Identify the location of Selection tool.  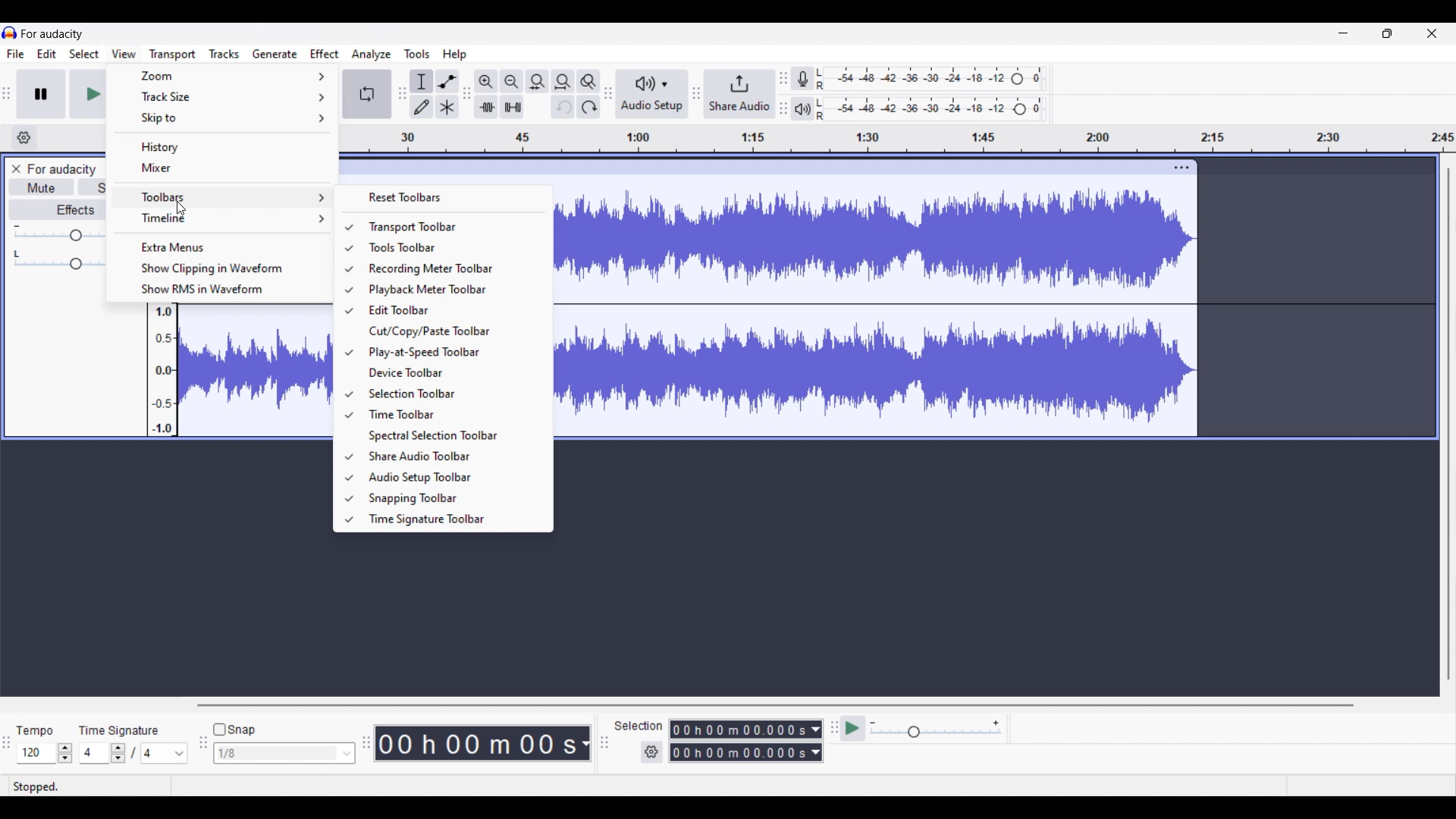
(422, 82).